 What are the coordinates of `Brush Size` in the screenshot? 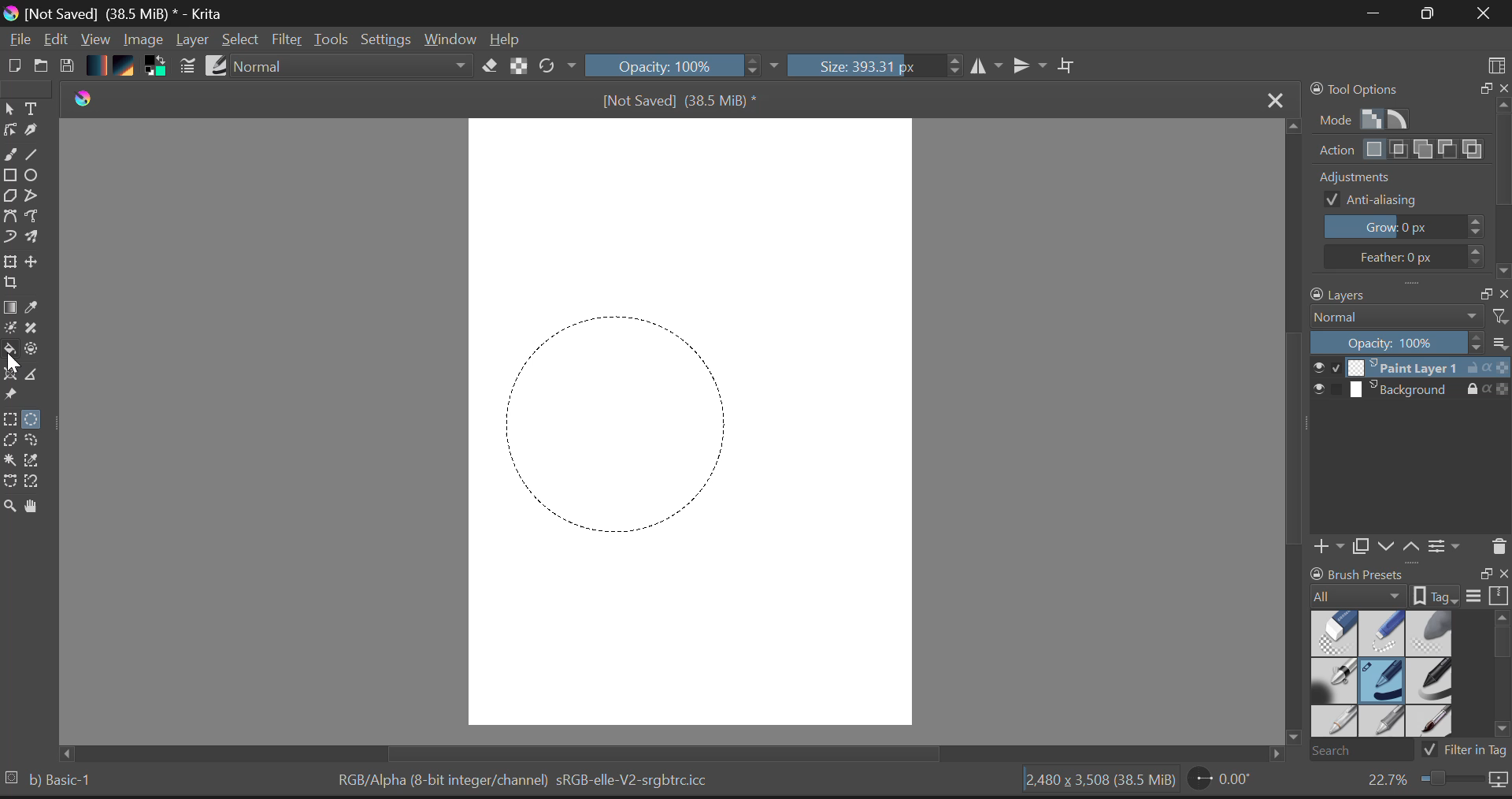 It's located at (874, 67).